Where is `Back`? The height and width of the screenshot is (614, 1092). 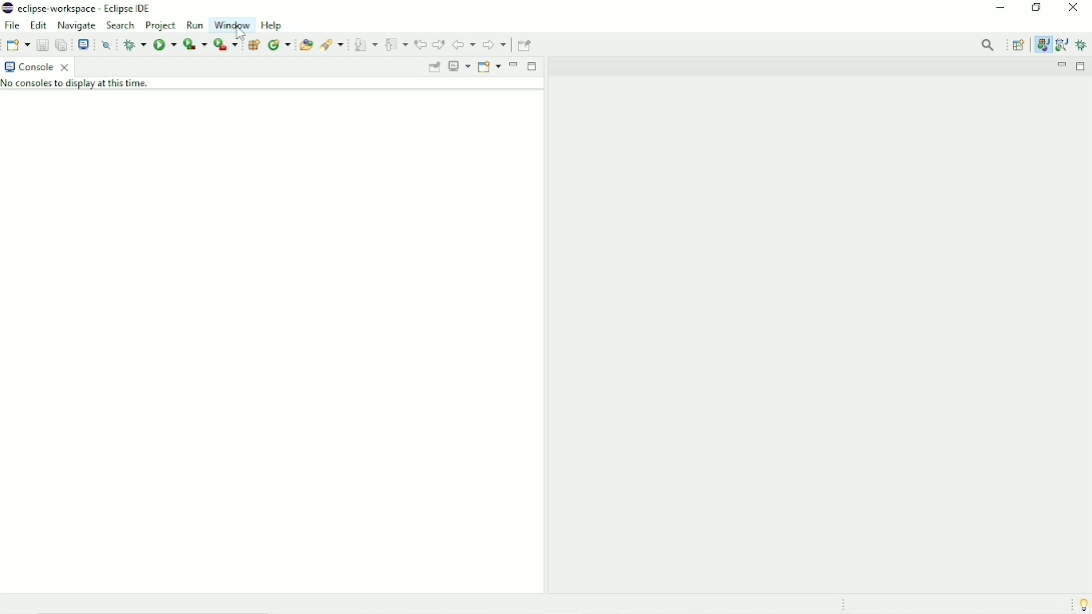
Back is located at coordinates (464, 45).